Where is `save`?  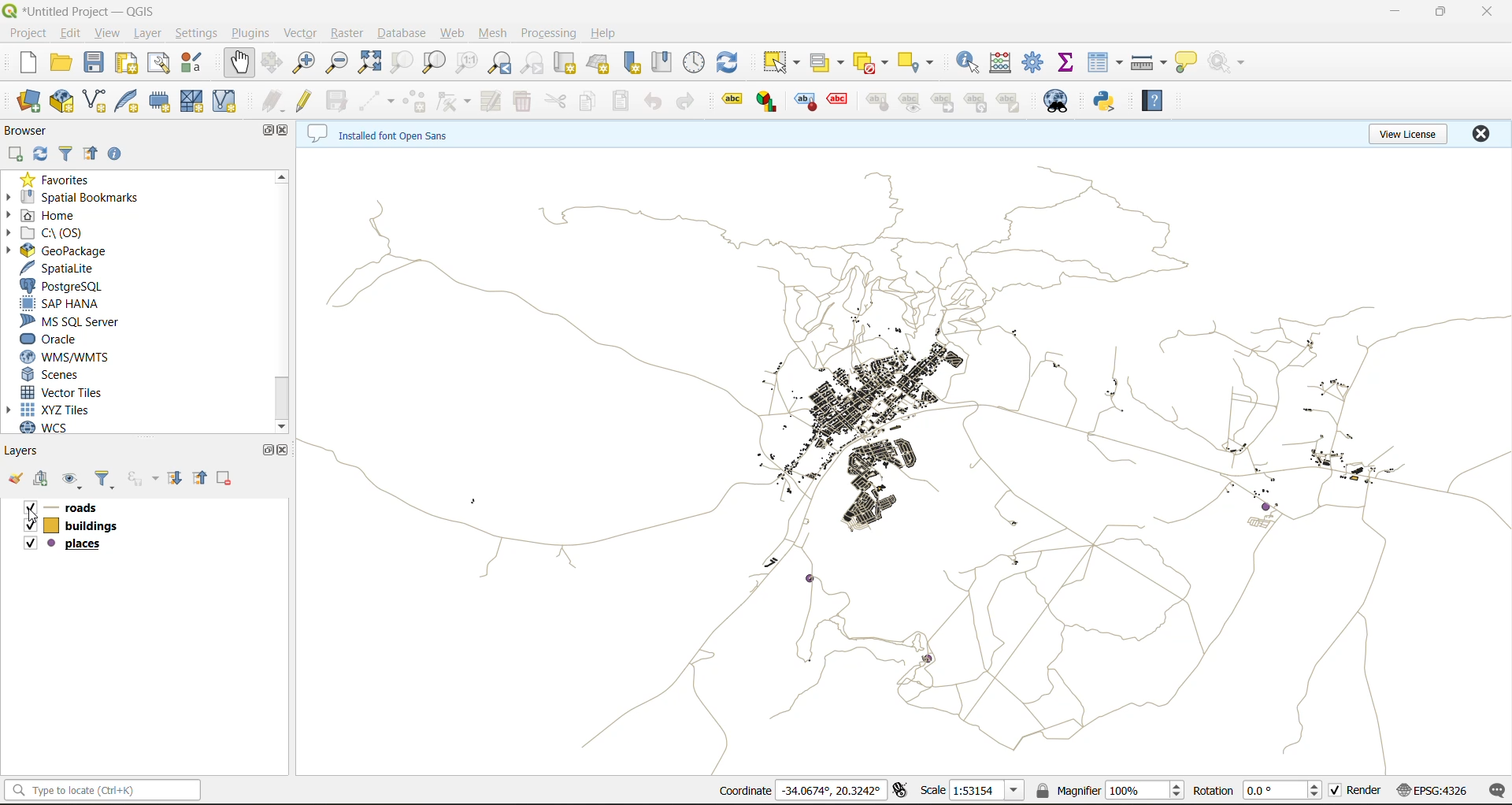
save is located at coordinates (94, 65).